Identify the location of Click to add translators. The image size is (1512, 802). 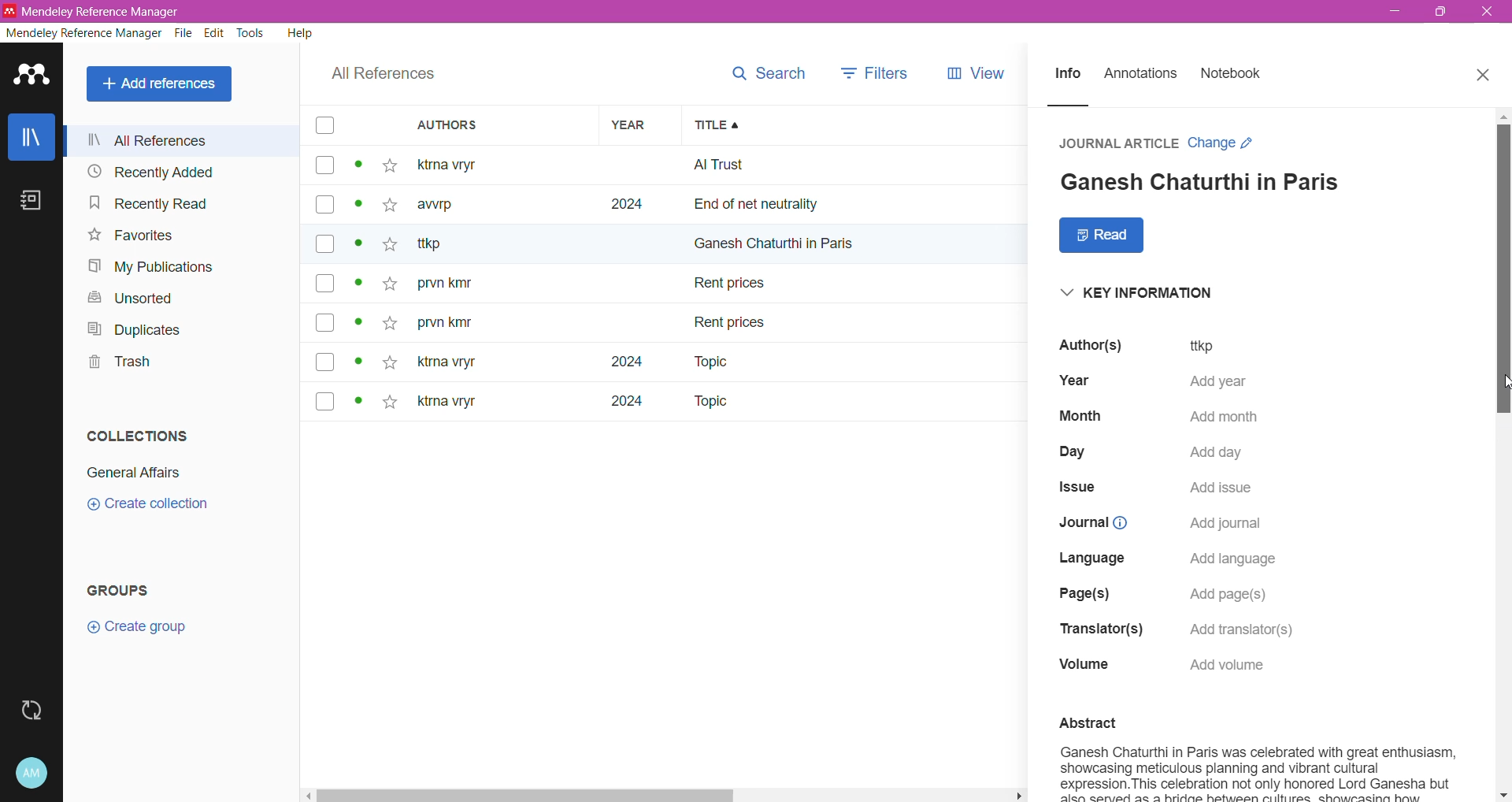
(1245, 629).